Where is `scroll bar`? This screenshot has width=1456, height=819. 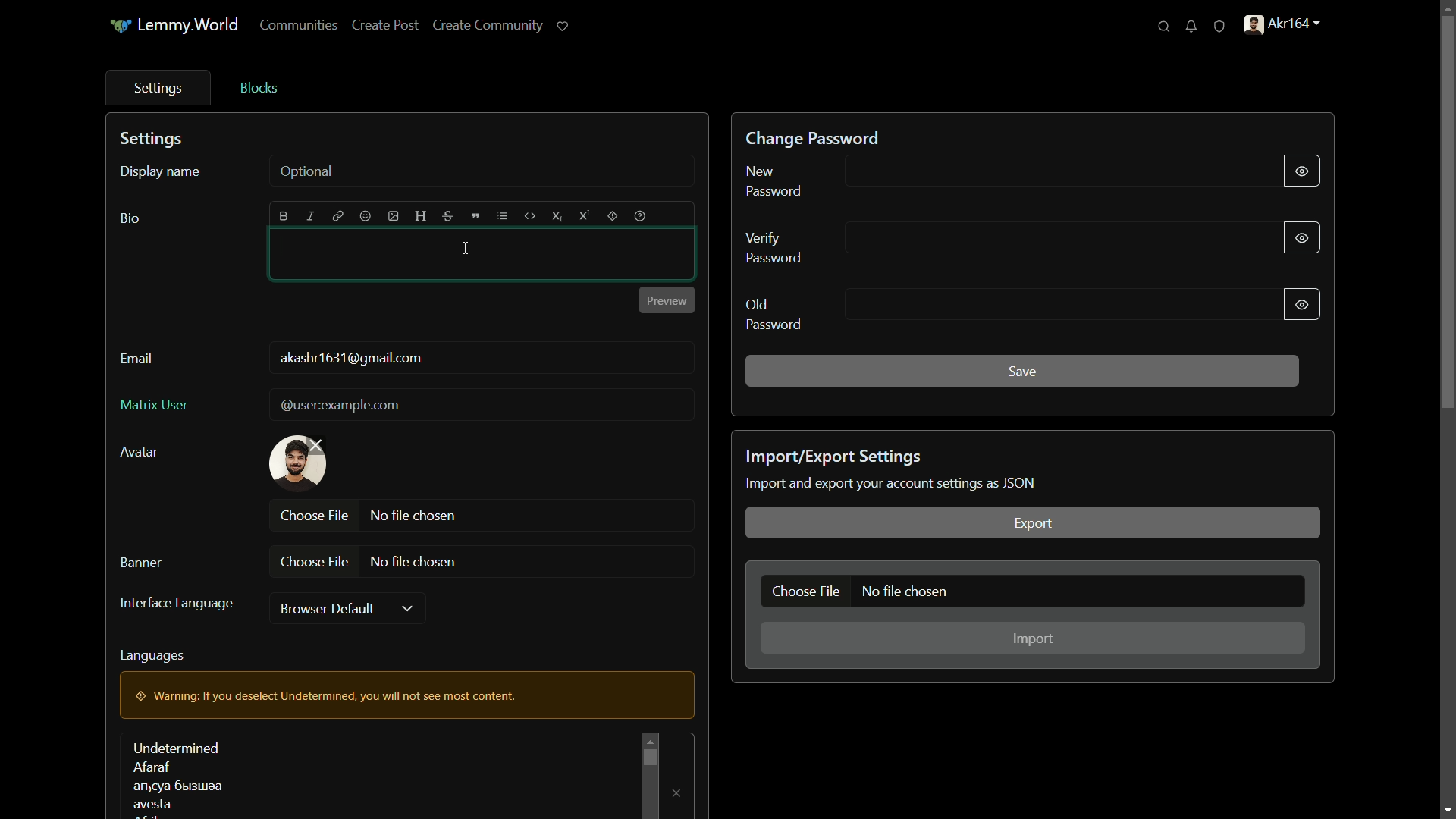 scroll bar is located at coordinates (650, 756).